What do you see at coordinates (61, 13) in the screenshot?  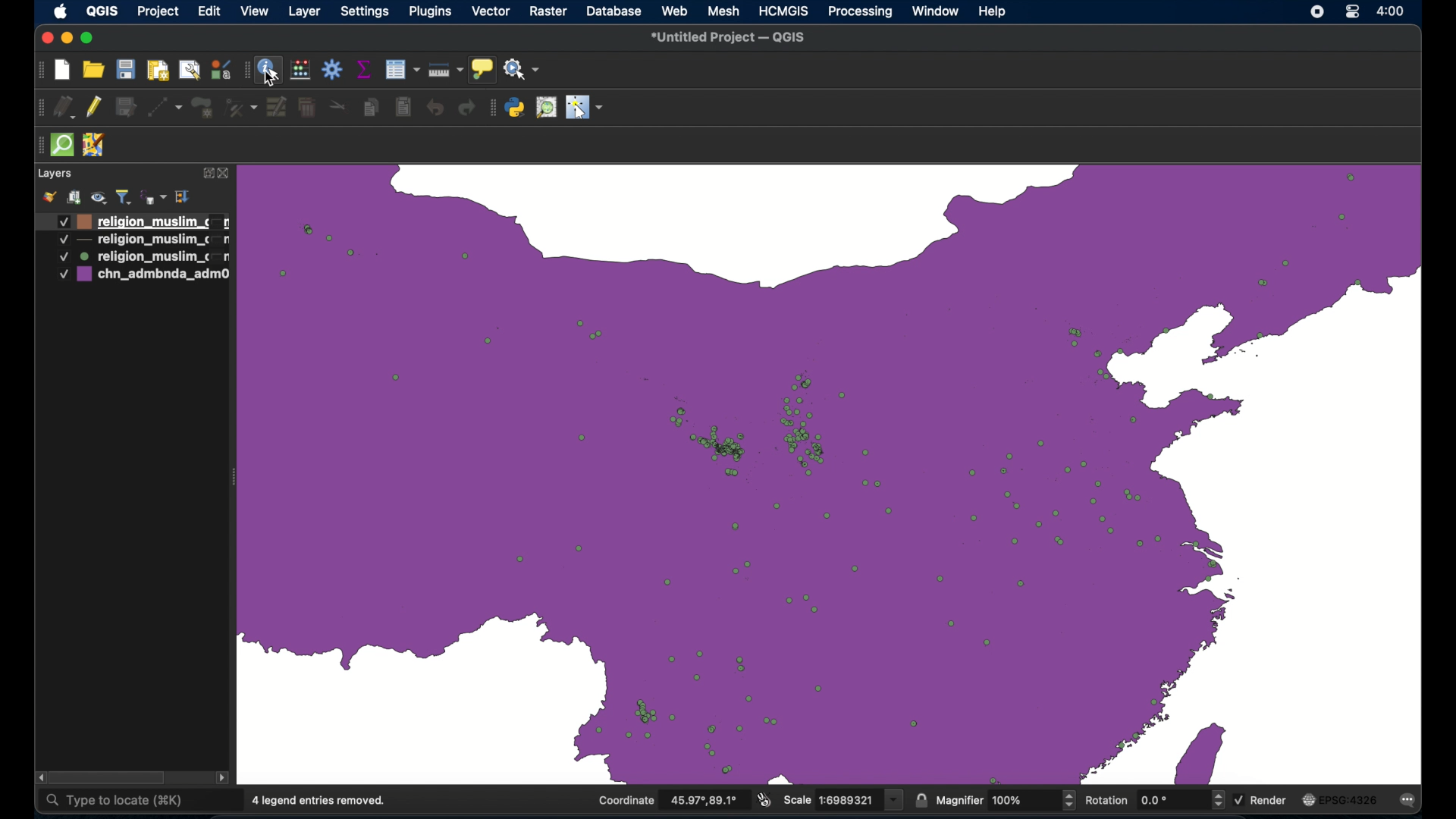 I see `apple icon` at bounding box center [61, 13].